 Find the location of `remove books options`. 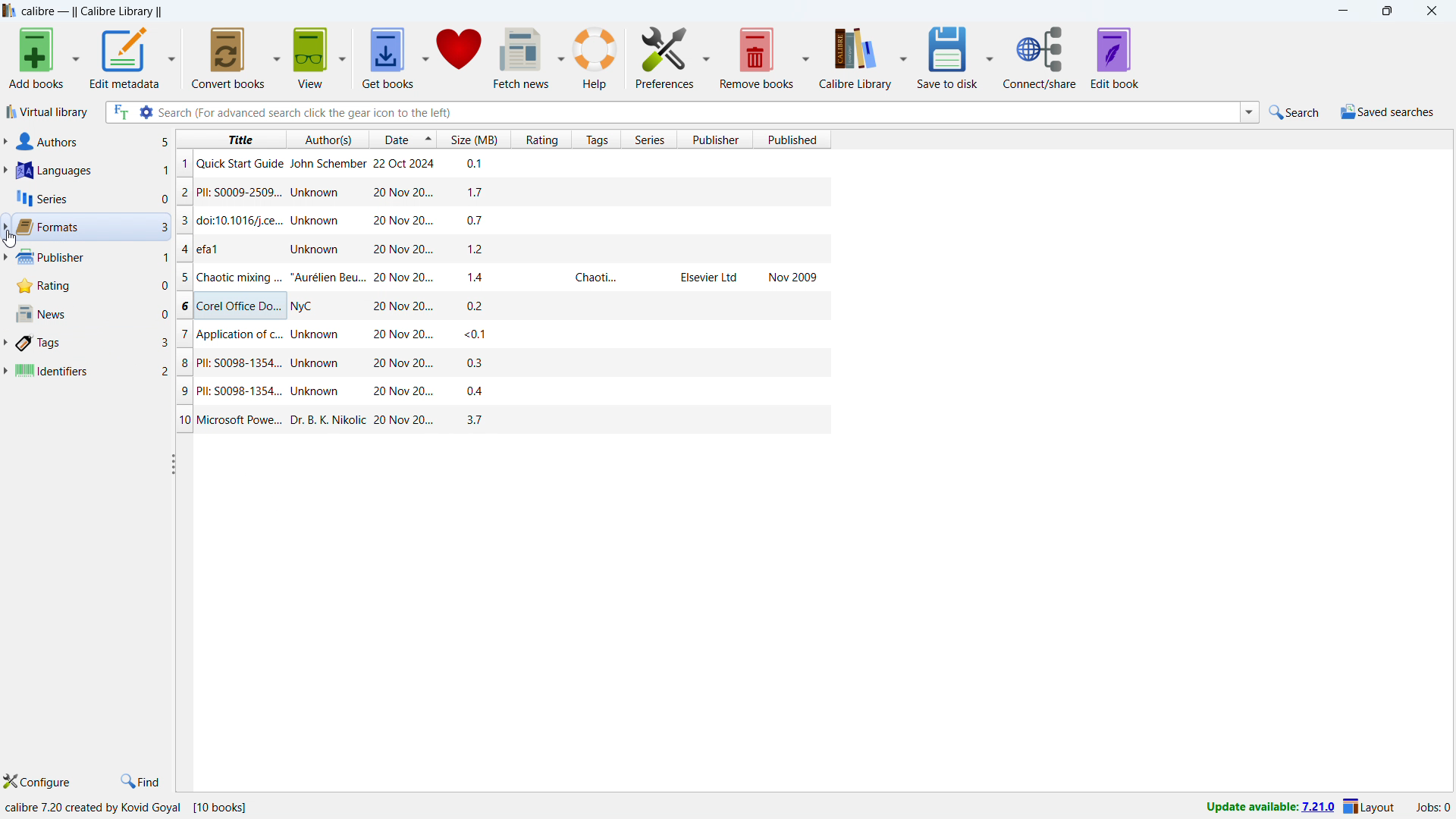

remove books options is located at coordinates (807, 56).